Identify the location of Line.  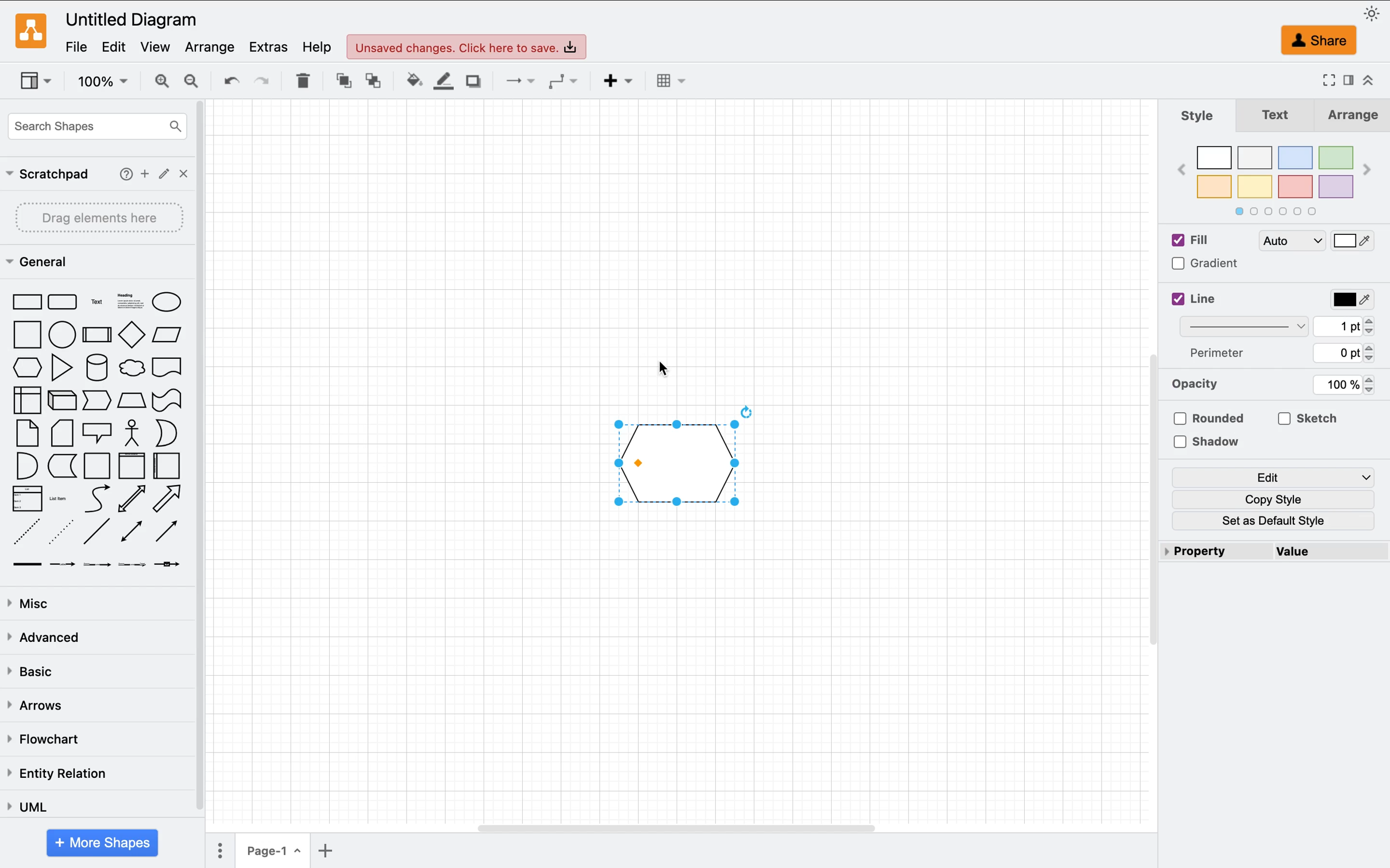
(1200, 301).